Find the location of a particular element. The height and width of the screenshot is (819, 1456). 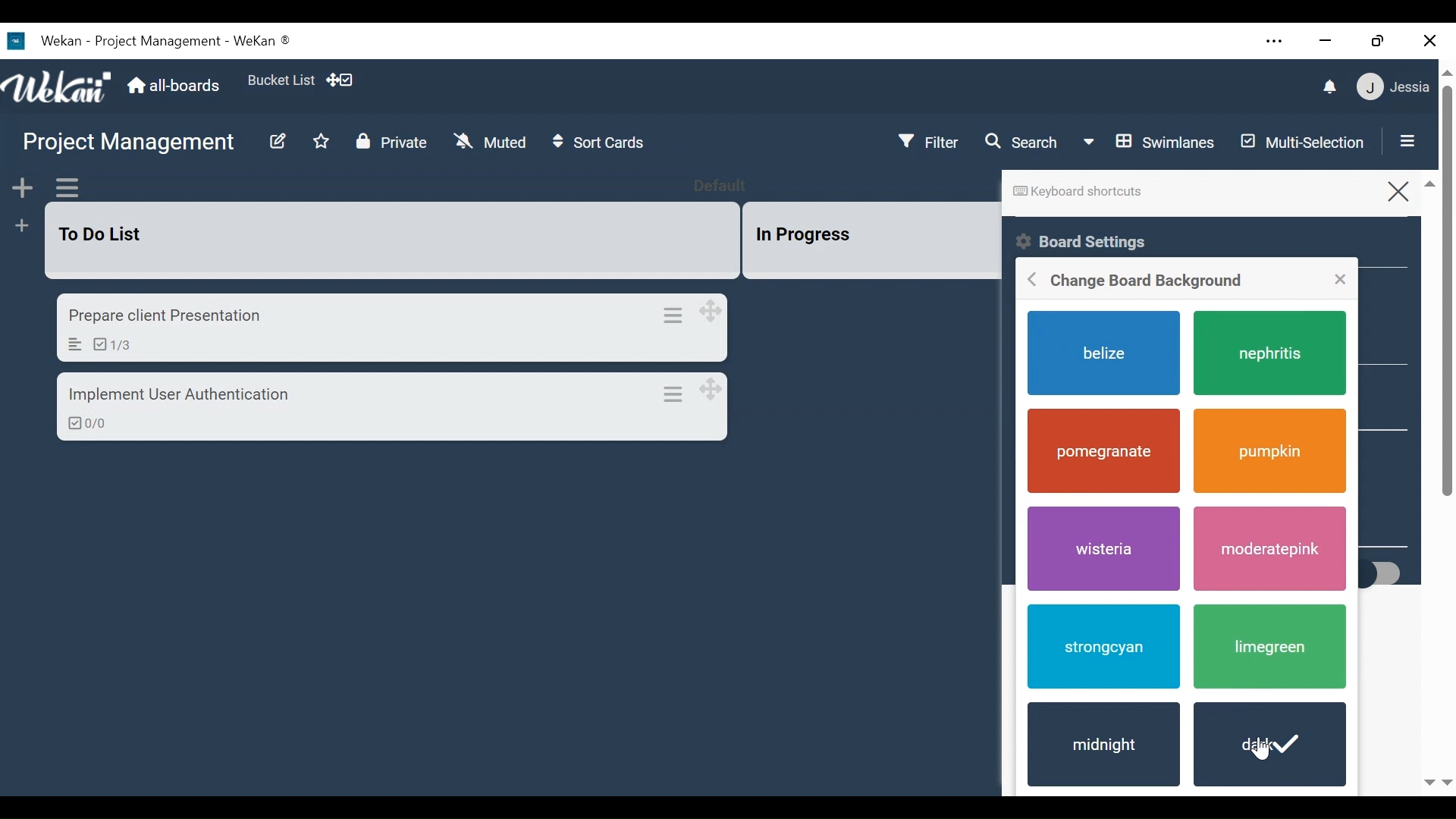

wisteria is located at coordinates (1106, 550).